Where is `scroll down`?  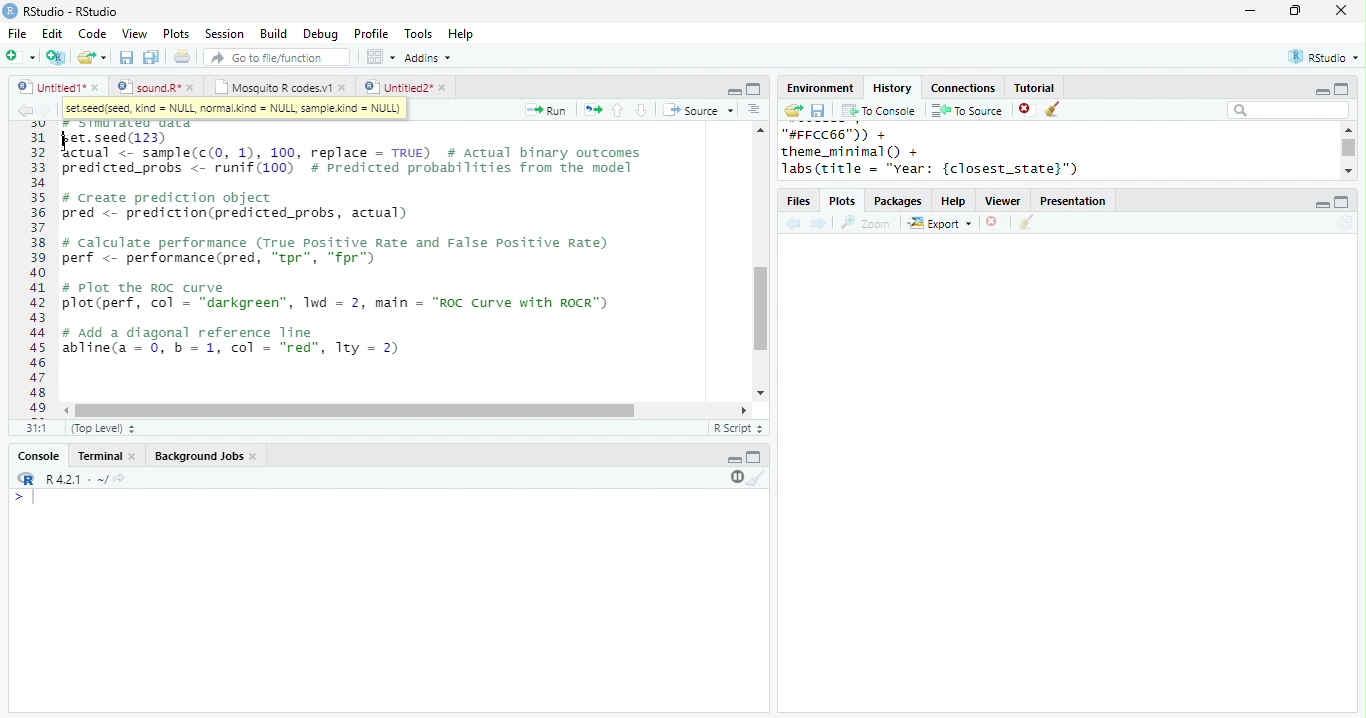 scroll down is located at coordinates (759, 393).